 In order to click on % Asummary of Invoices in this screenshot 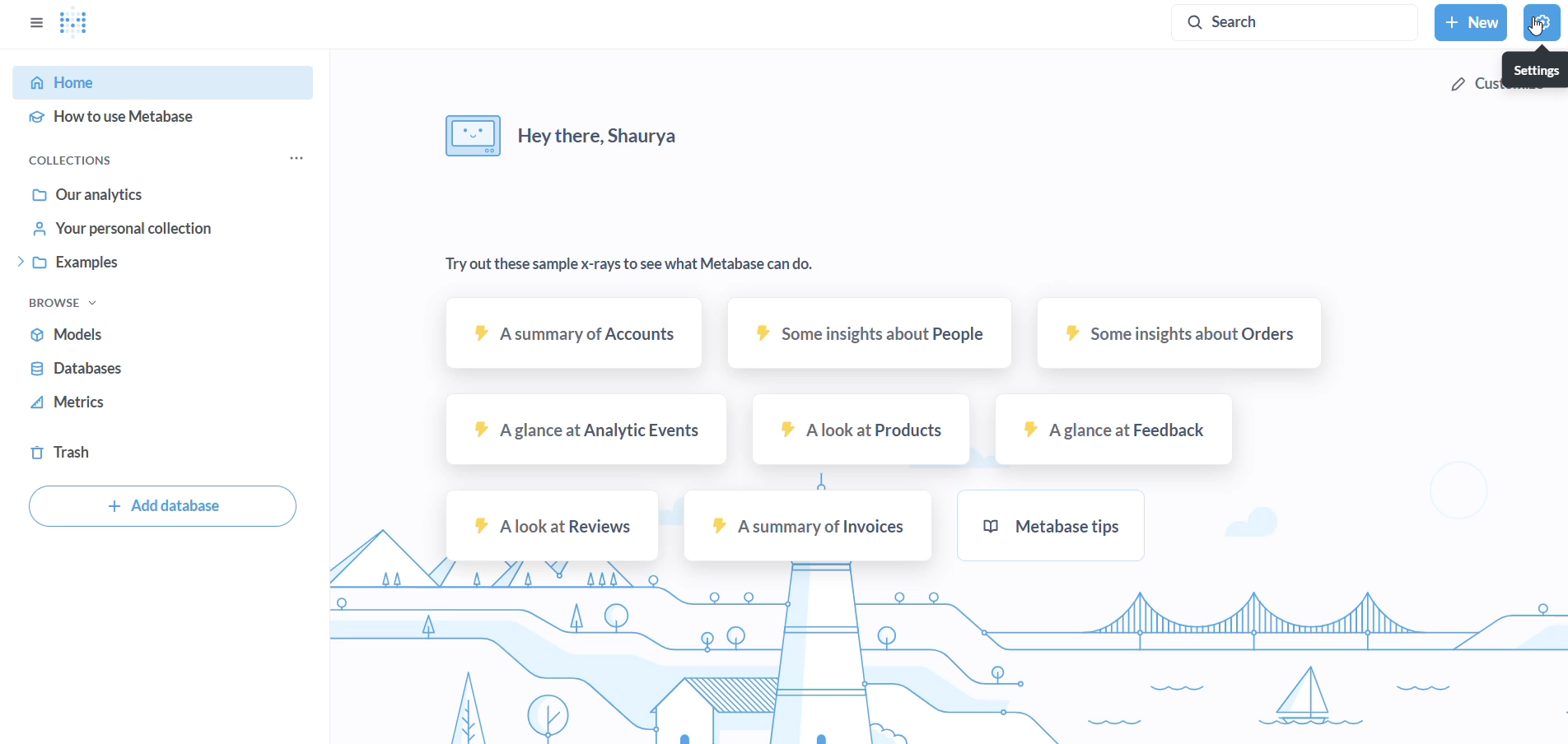, I will do `click(810, 527)`.